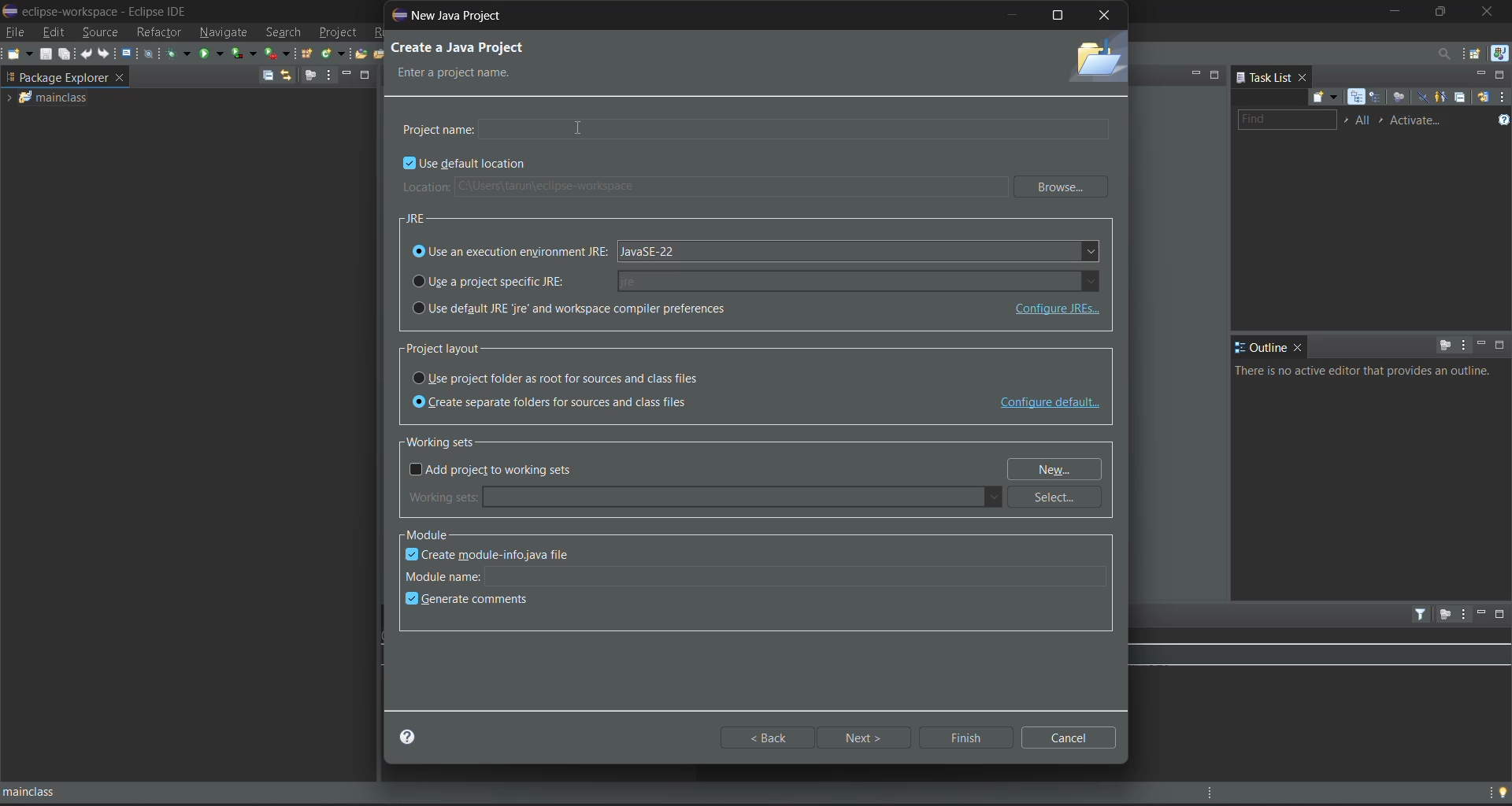 This screenshot has height=806, width=1512. I want to click on debug, so click(179, 53).